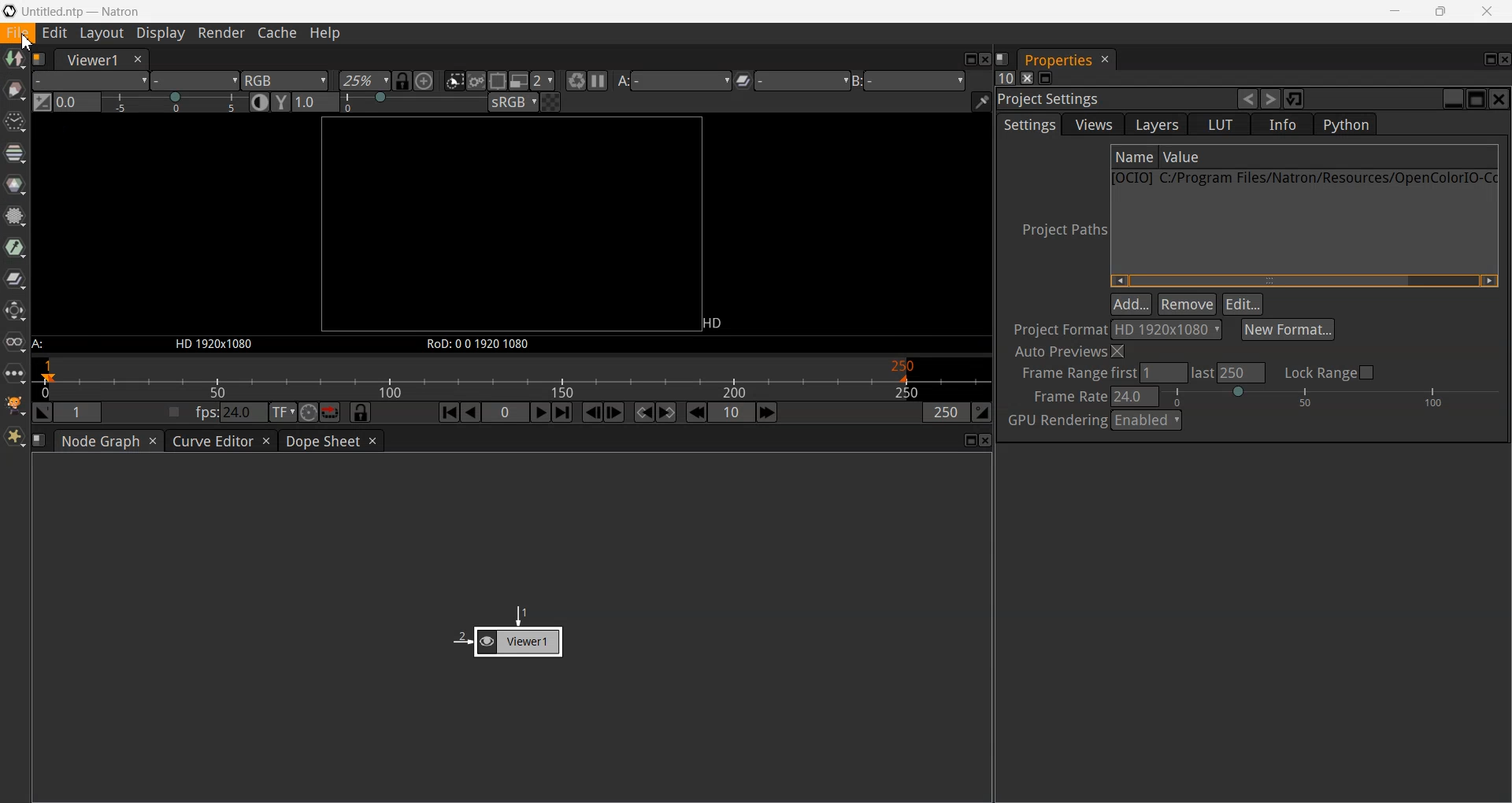 The height and width of the screenshot is (803, 1512). Describe the element at coordinates (1154, 124) in the screenshot. I see `Layers` at that location.